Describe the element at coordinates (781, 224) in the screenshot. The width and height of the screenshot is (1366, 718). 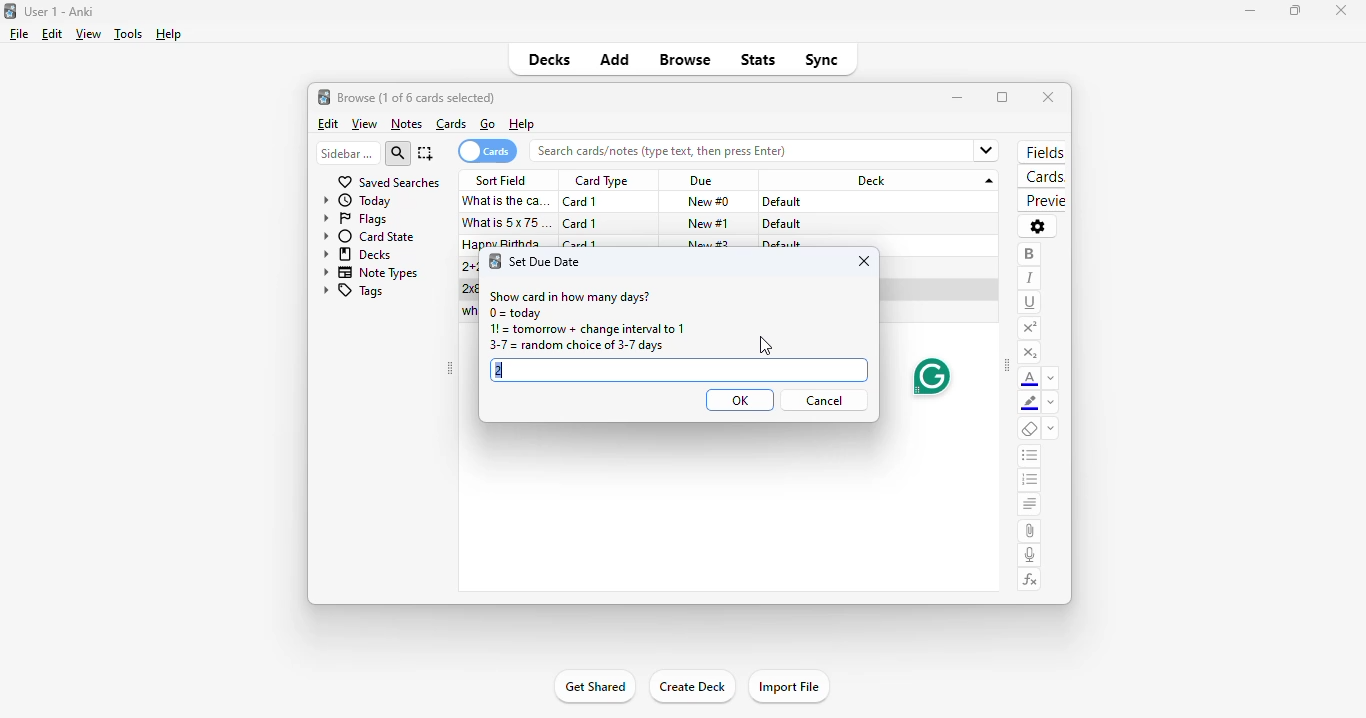
I see `default` at that location.